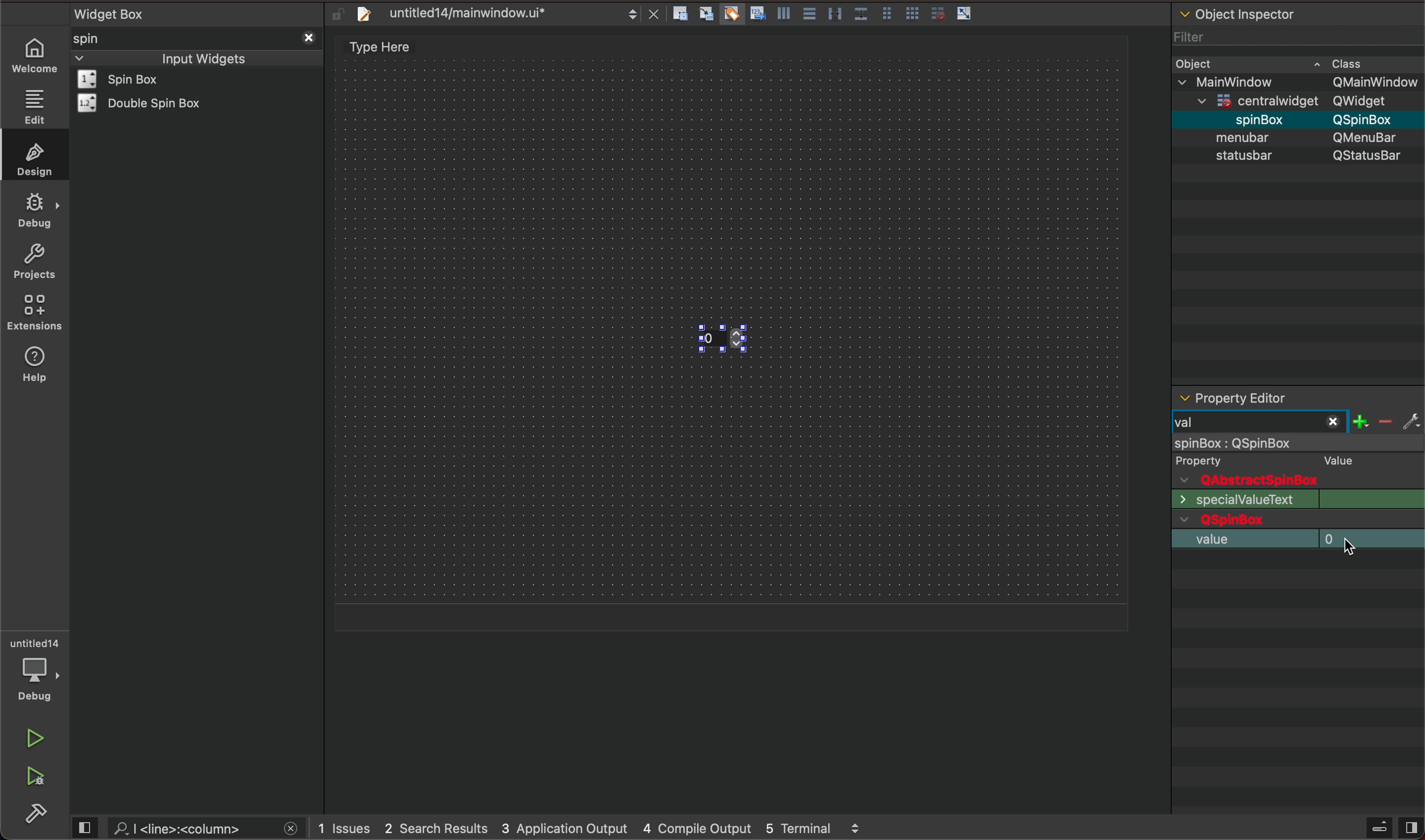 The height and width of the screenshot is (840, 1425). Describe the element at coordinates (1213, 460) in the screenshot. I see `text` at that location.